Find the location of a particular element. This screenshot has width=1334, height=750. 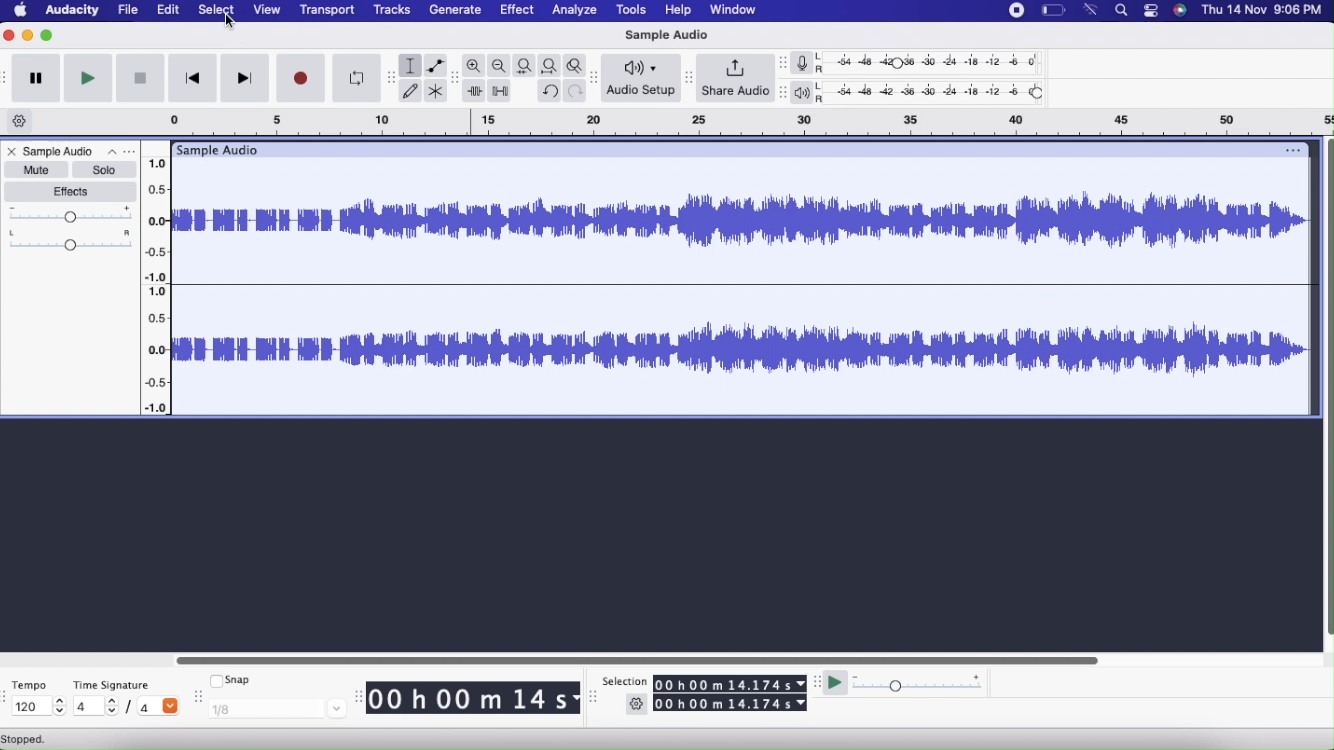

Envelope tool is located at coordinates (439, 65).